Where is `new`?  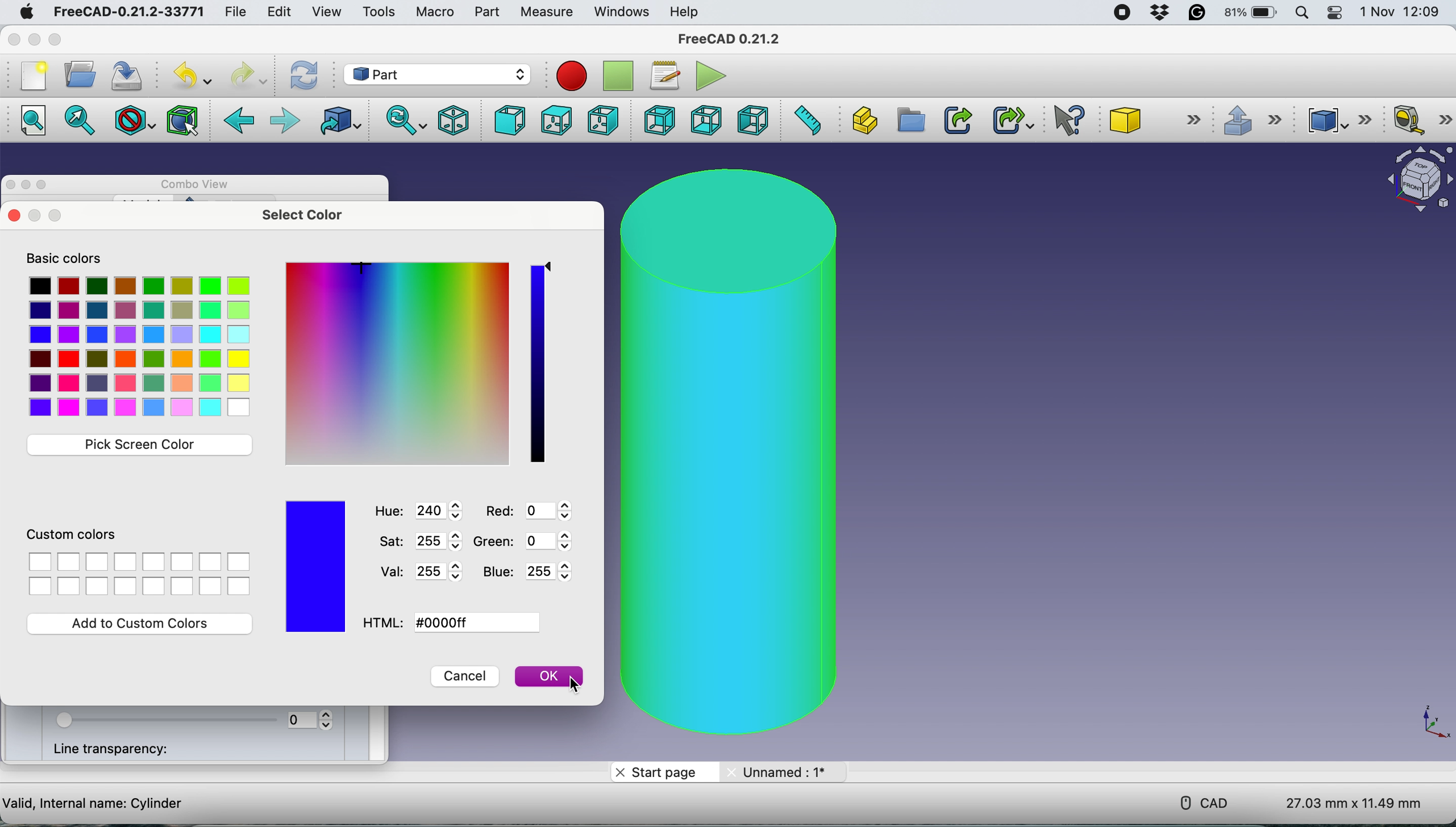 new is located at coordinates (33, 78).